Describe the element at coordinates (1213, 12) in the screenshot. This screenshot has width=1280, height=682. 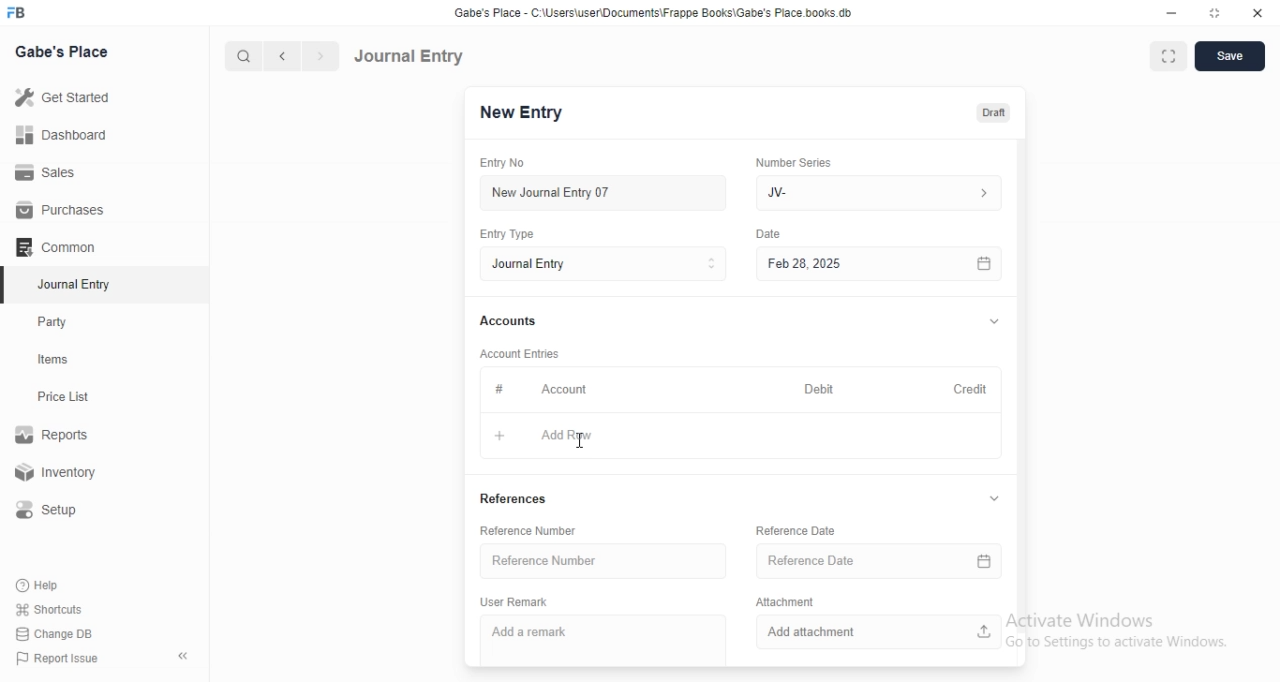
I see `restore` at that location.